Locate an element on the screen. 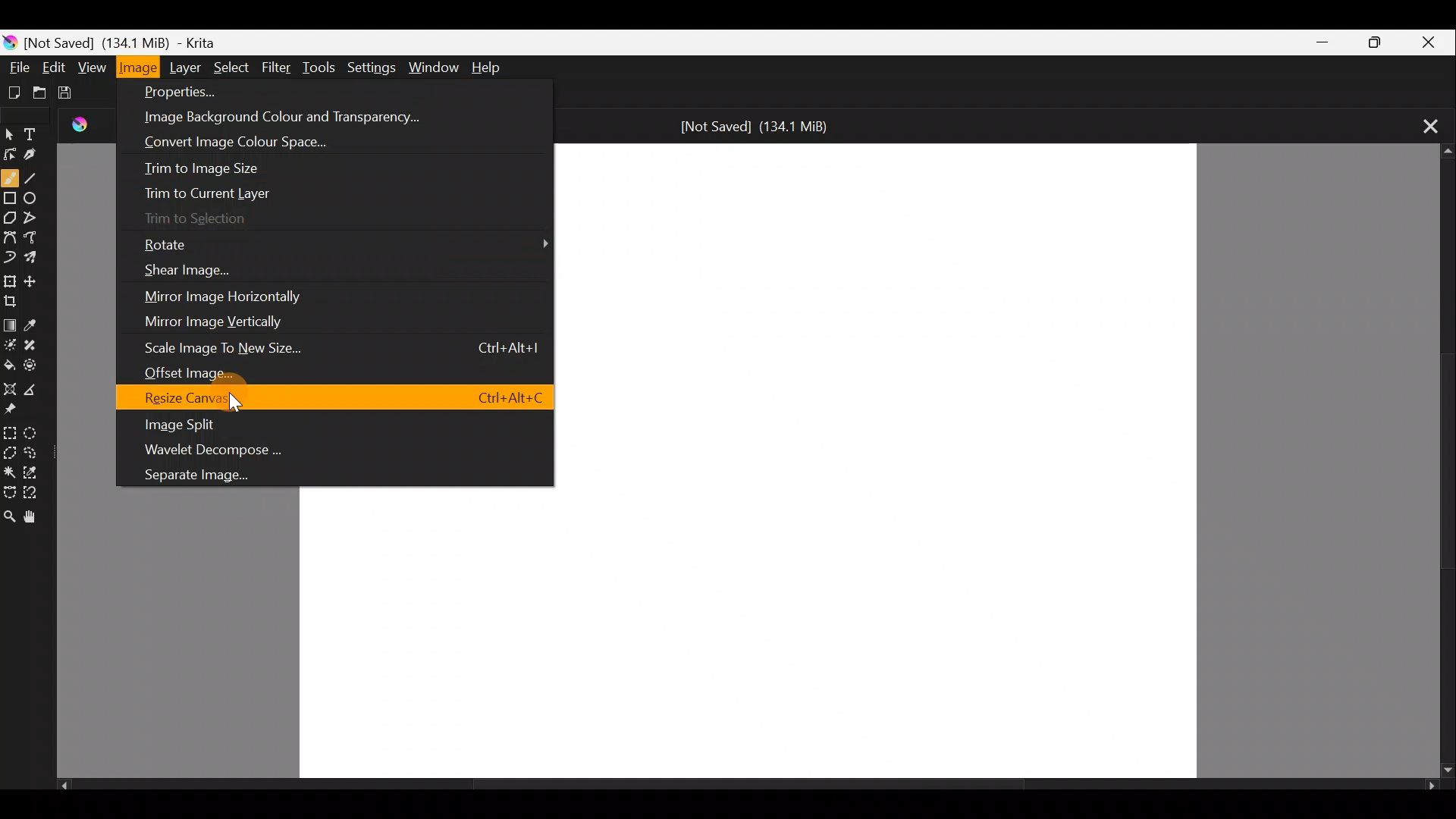 The width and height of the screenshot is (1456, 819). Move a layer is located at coordinates (36, 280).